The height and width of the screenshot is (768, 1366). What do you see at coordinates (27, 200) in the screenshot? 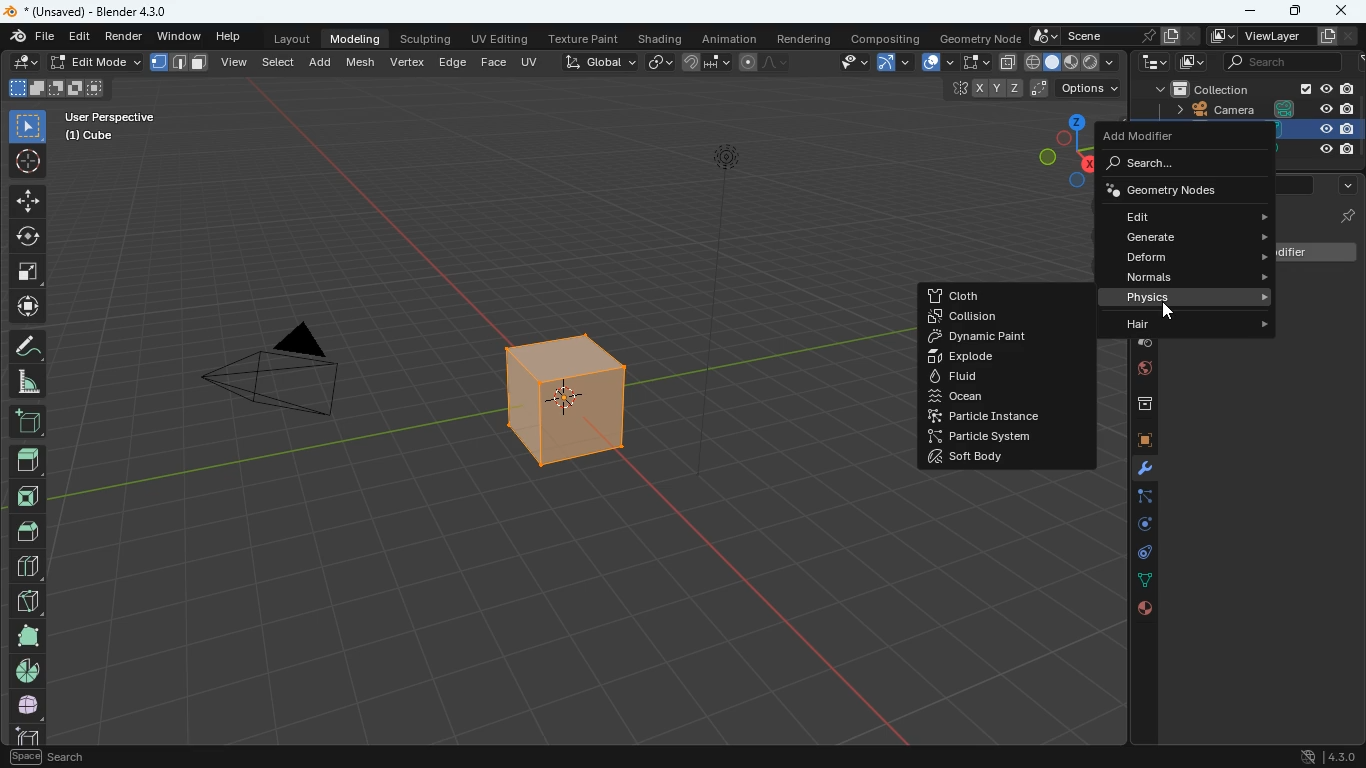
I see `move` at bounding box center [27, 200].